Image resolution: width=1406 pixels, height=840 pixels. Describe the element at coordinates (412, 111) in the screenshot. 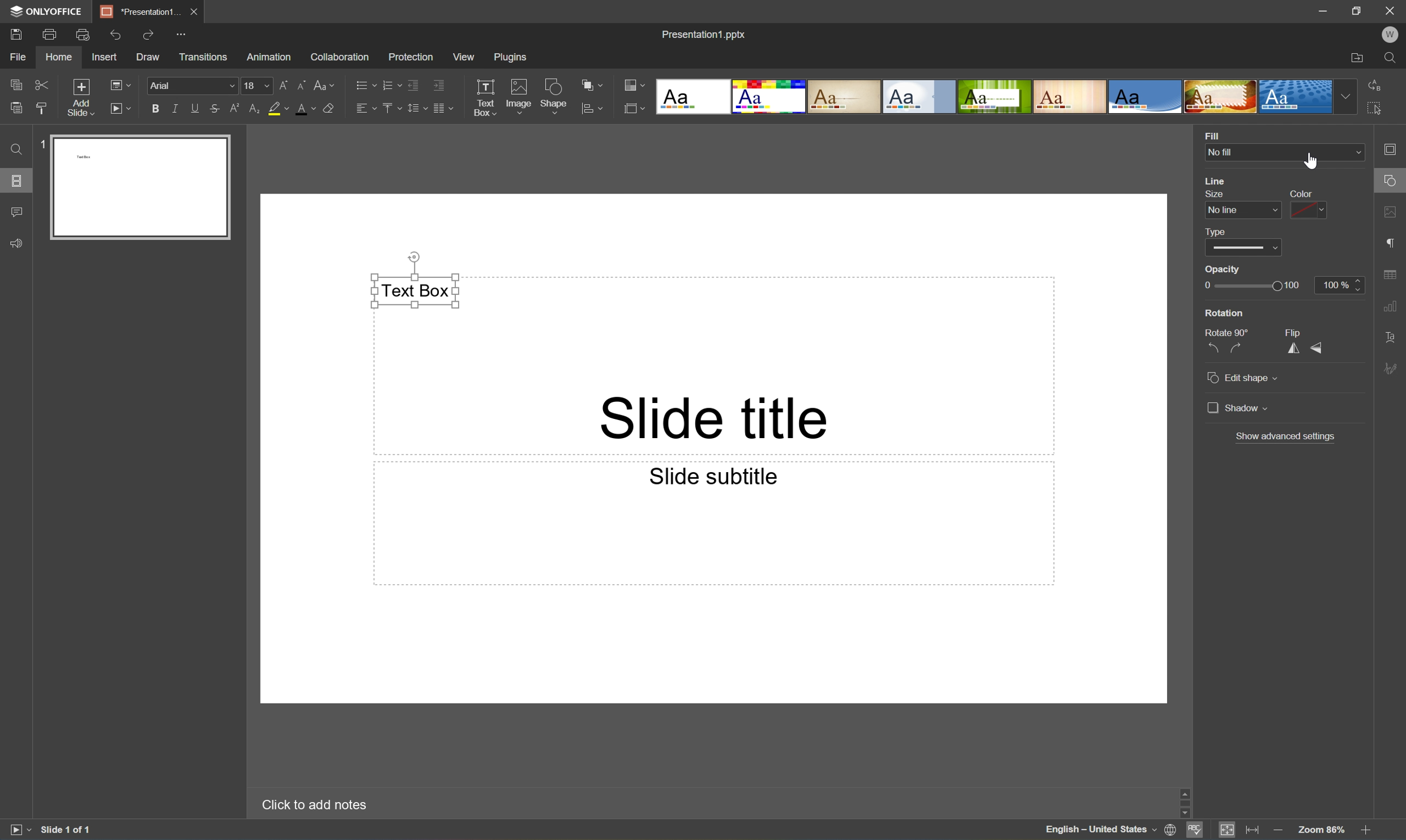

I see `Line spacing` at that location.